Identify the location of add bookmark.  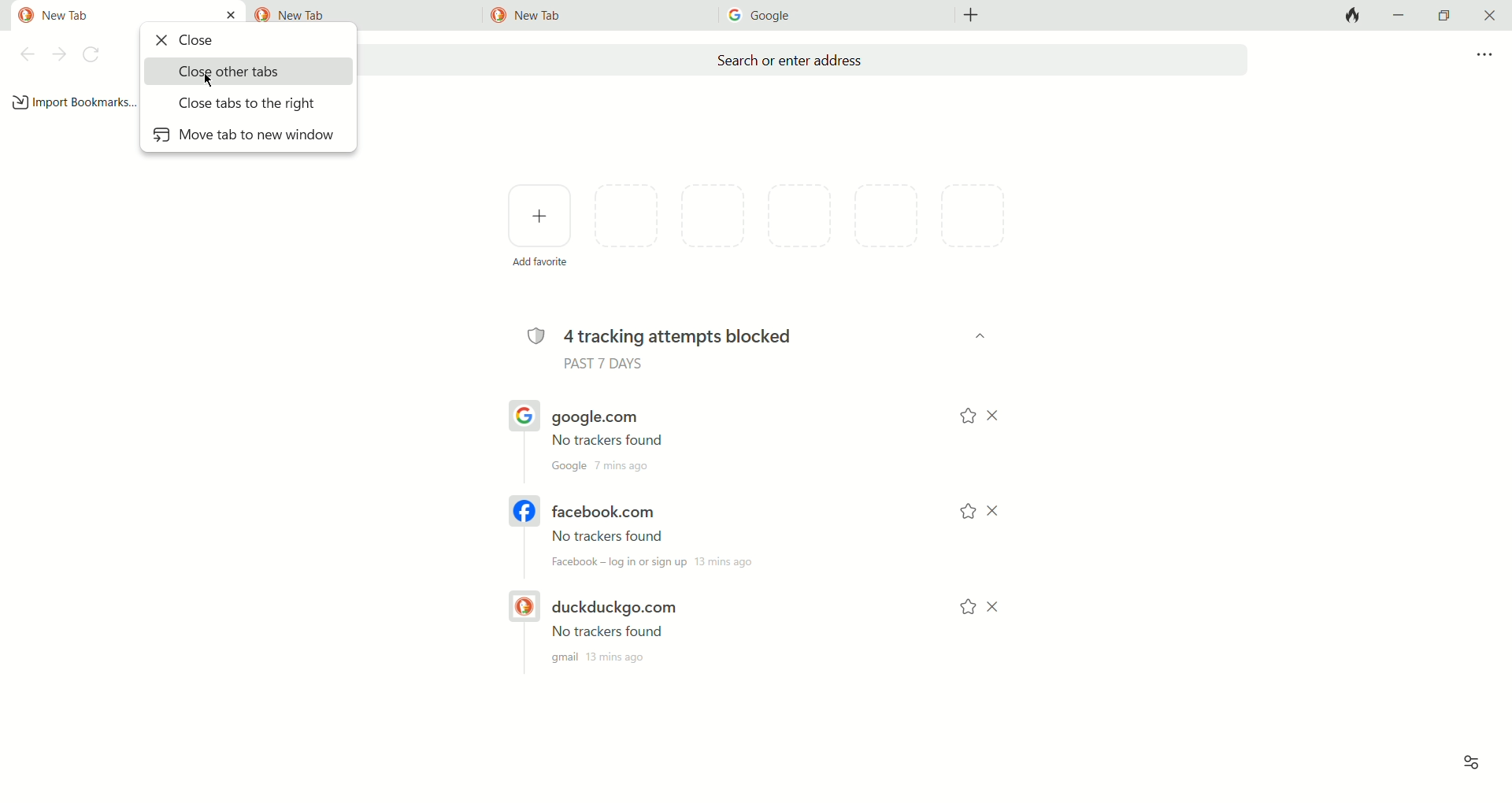
(73, 104).